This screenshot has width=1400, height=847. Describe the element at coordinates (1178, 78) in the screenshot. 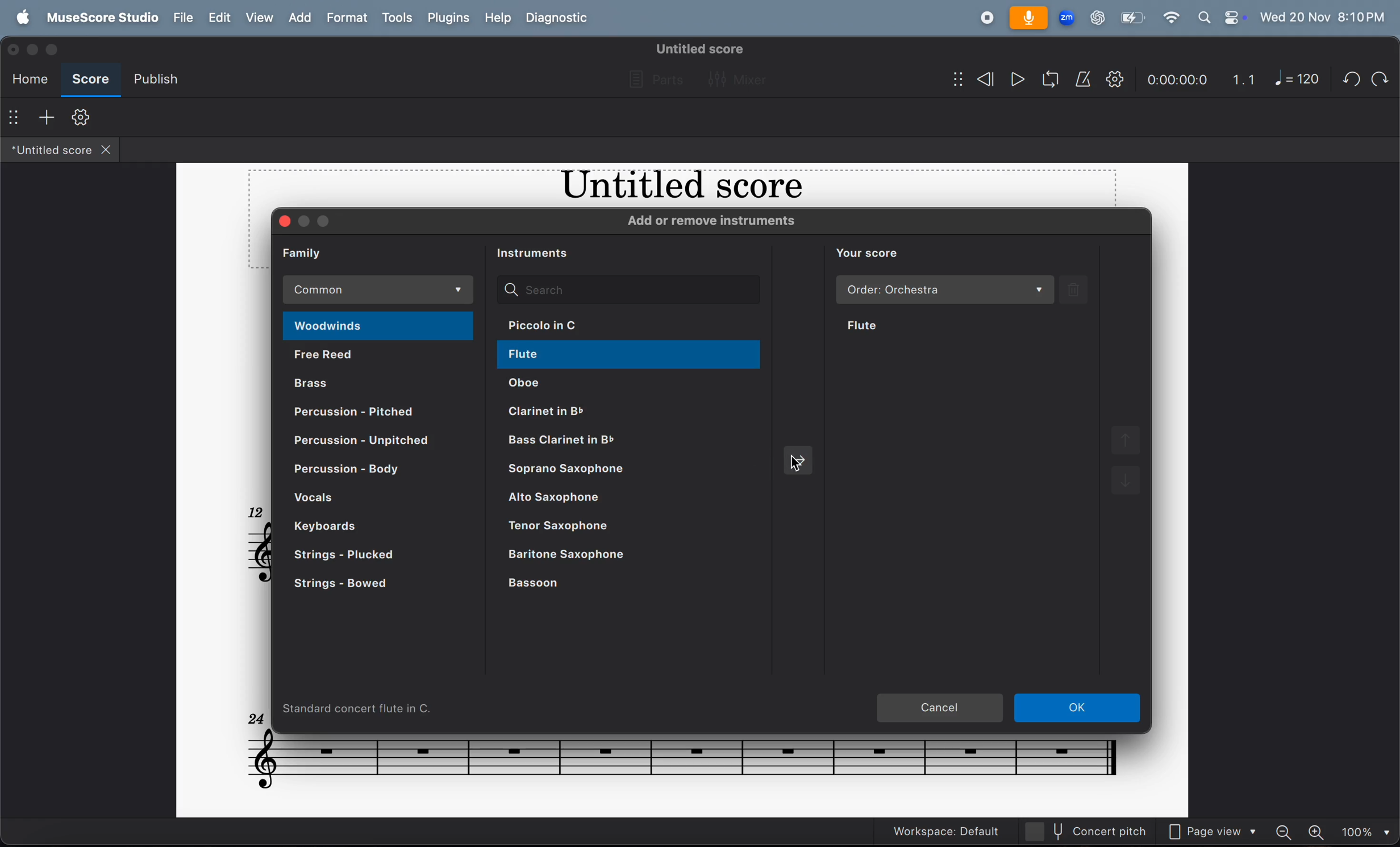

I see `time frame` at that location.